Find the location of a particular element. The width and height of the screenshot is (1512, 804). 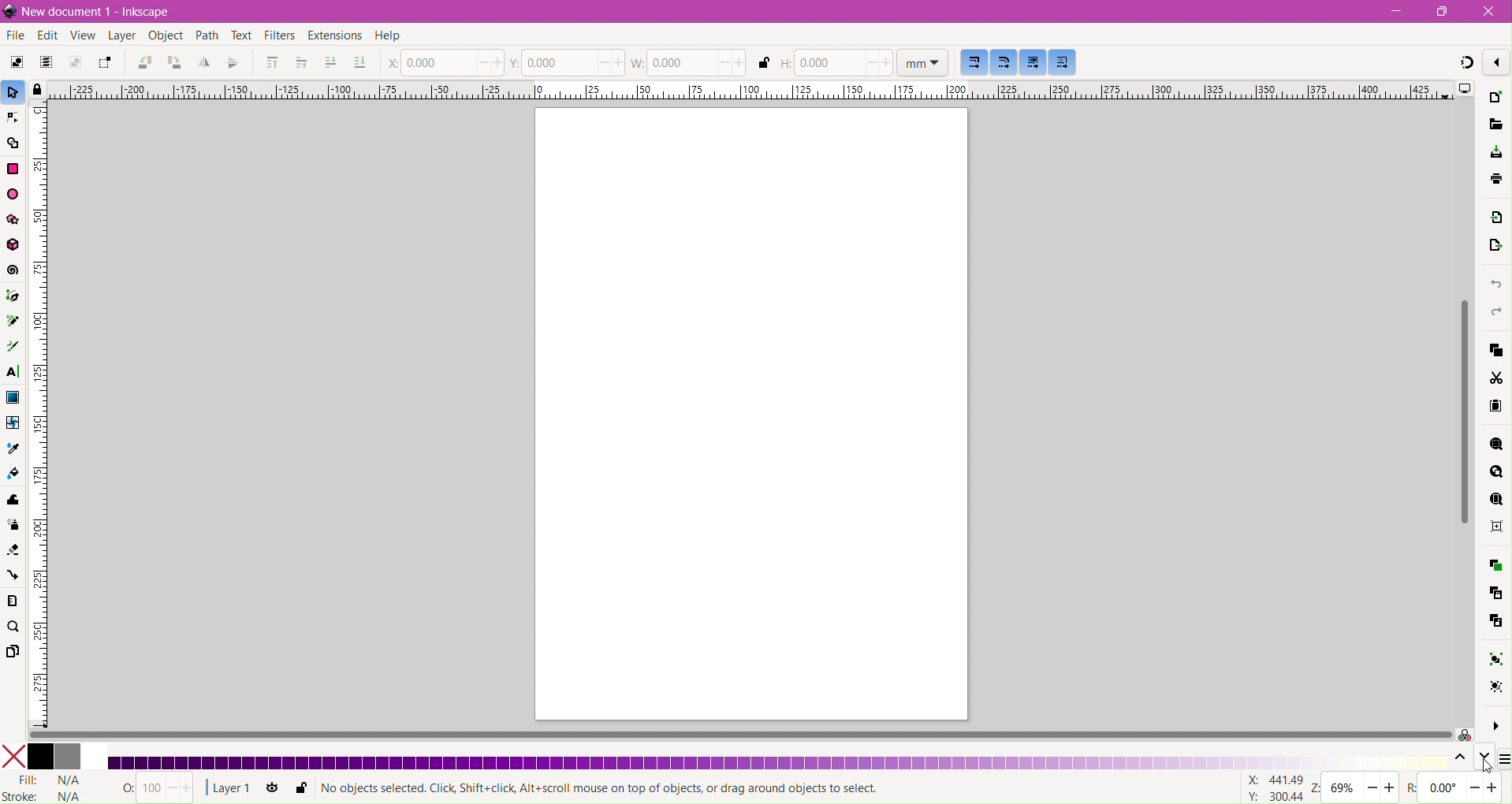

Vertical Ruler is located at coordinates (38, 415).